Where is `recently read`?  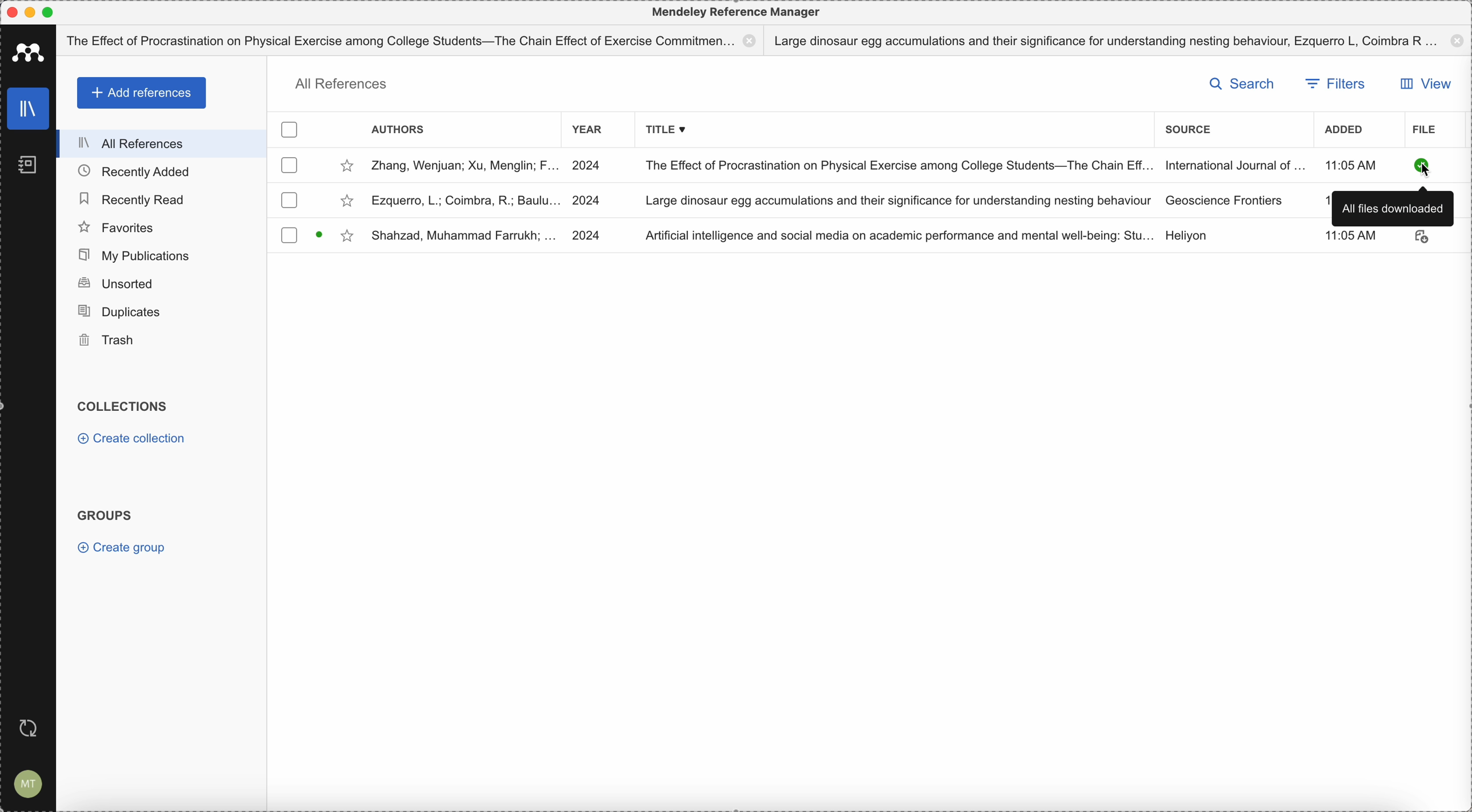 recently read is located at coordinates (131, 201).